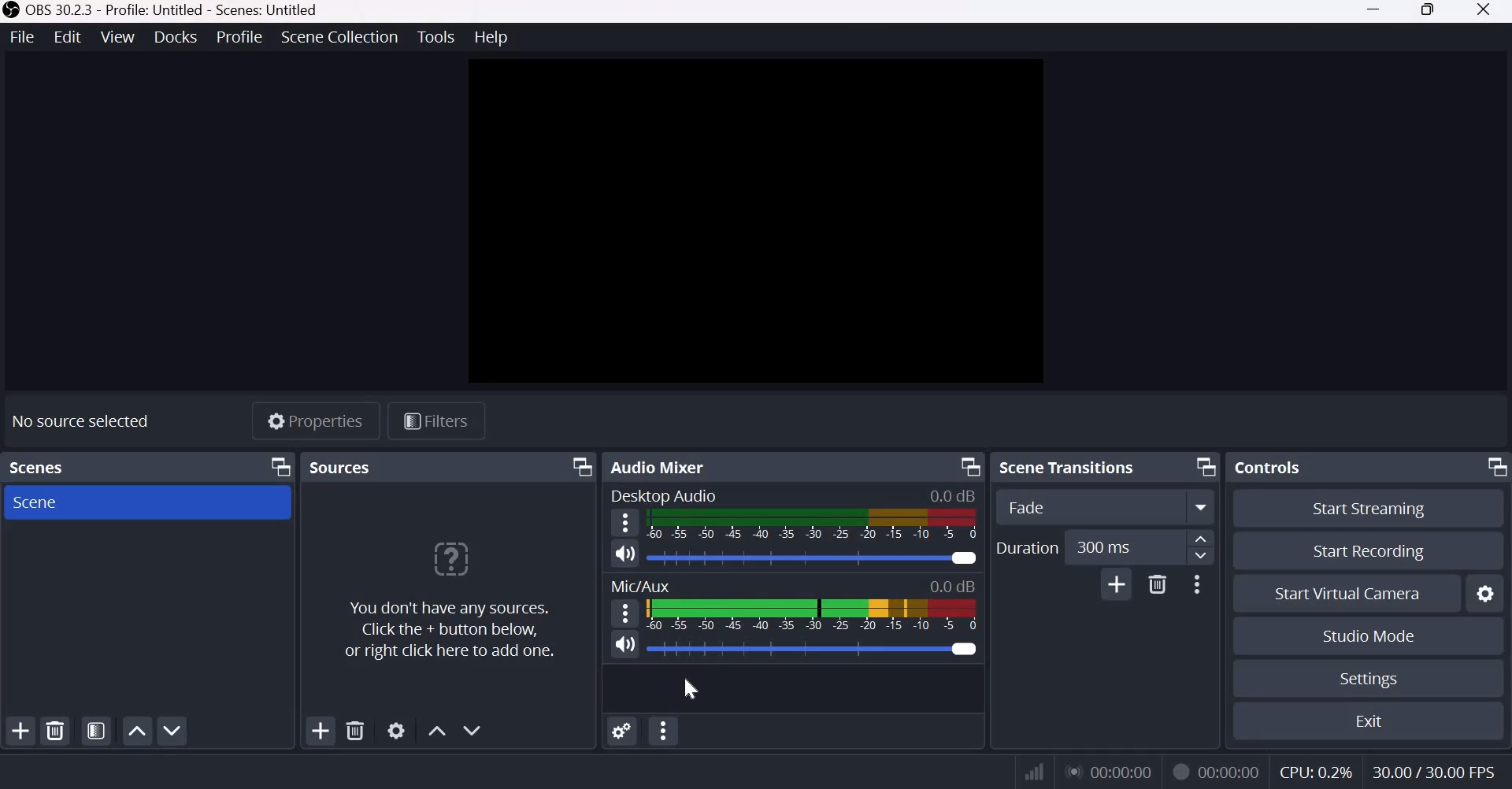 Image resolution: width=1512 pixels, height=789 pixels. I want to click on Tools, so click(435, 36).